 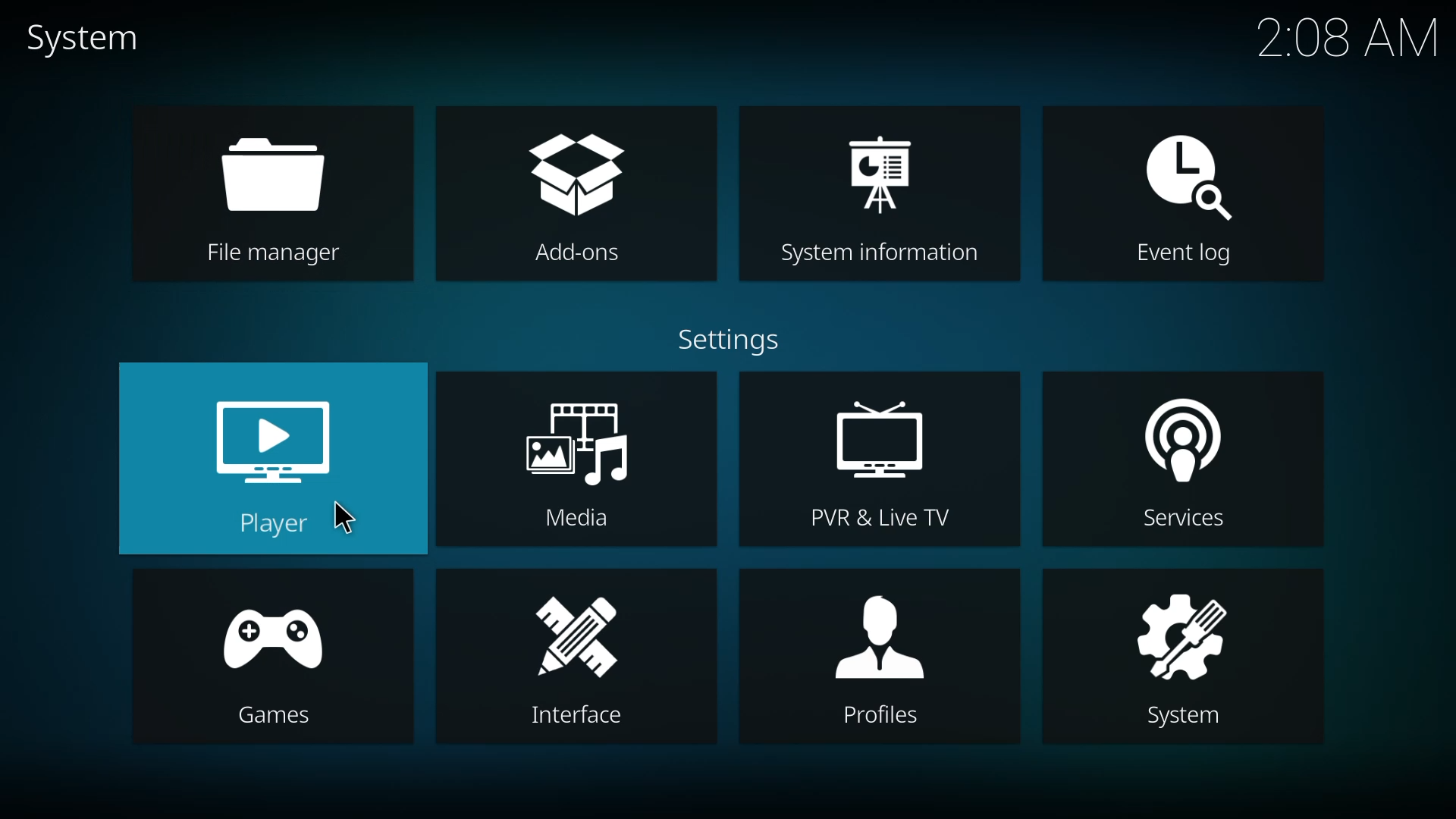 I want to click on games, so click(x=276, y=665).